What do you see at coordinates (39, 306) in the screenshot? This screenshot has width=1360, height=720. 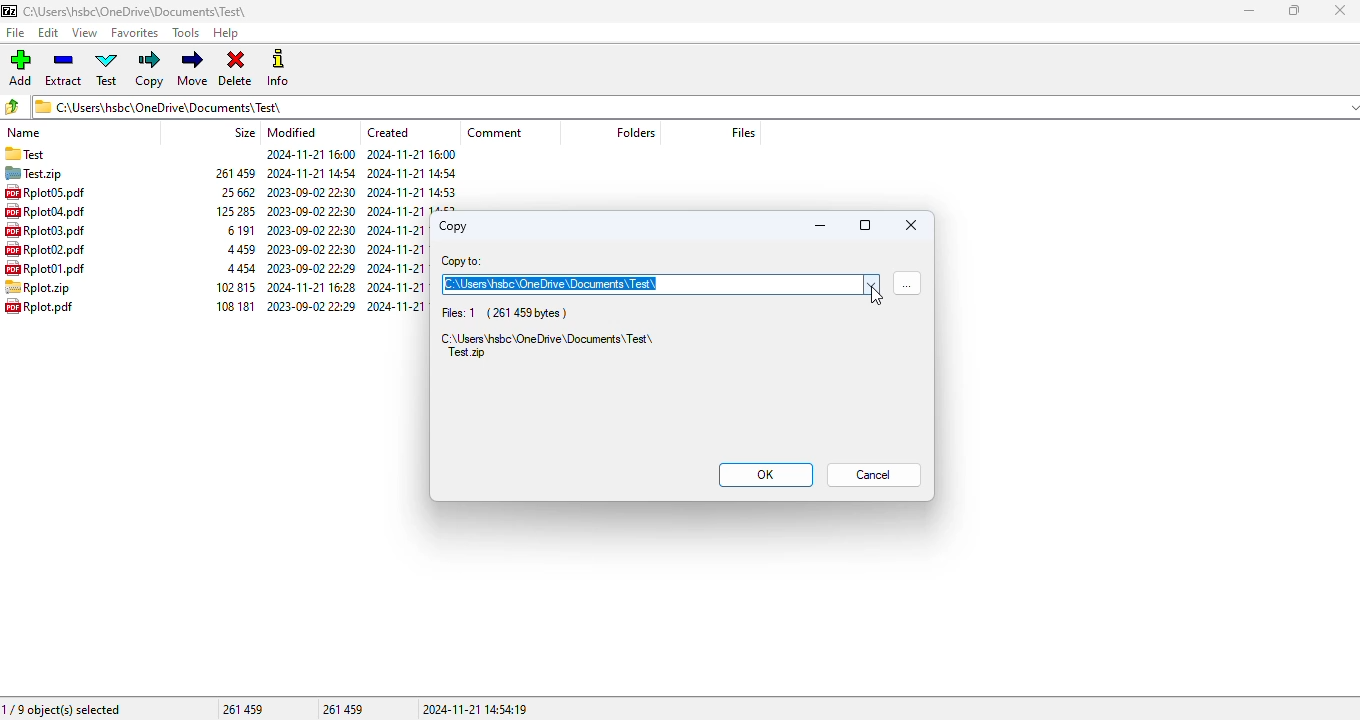 I see `file name` at bounding box center [39, 306].